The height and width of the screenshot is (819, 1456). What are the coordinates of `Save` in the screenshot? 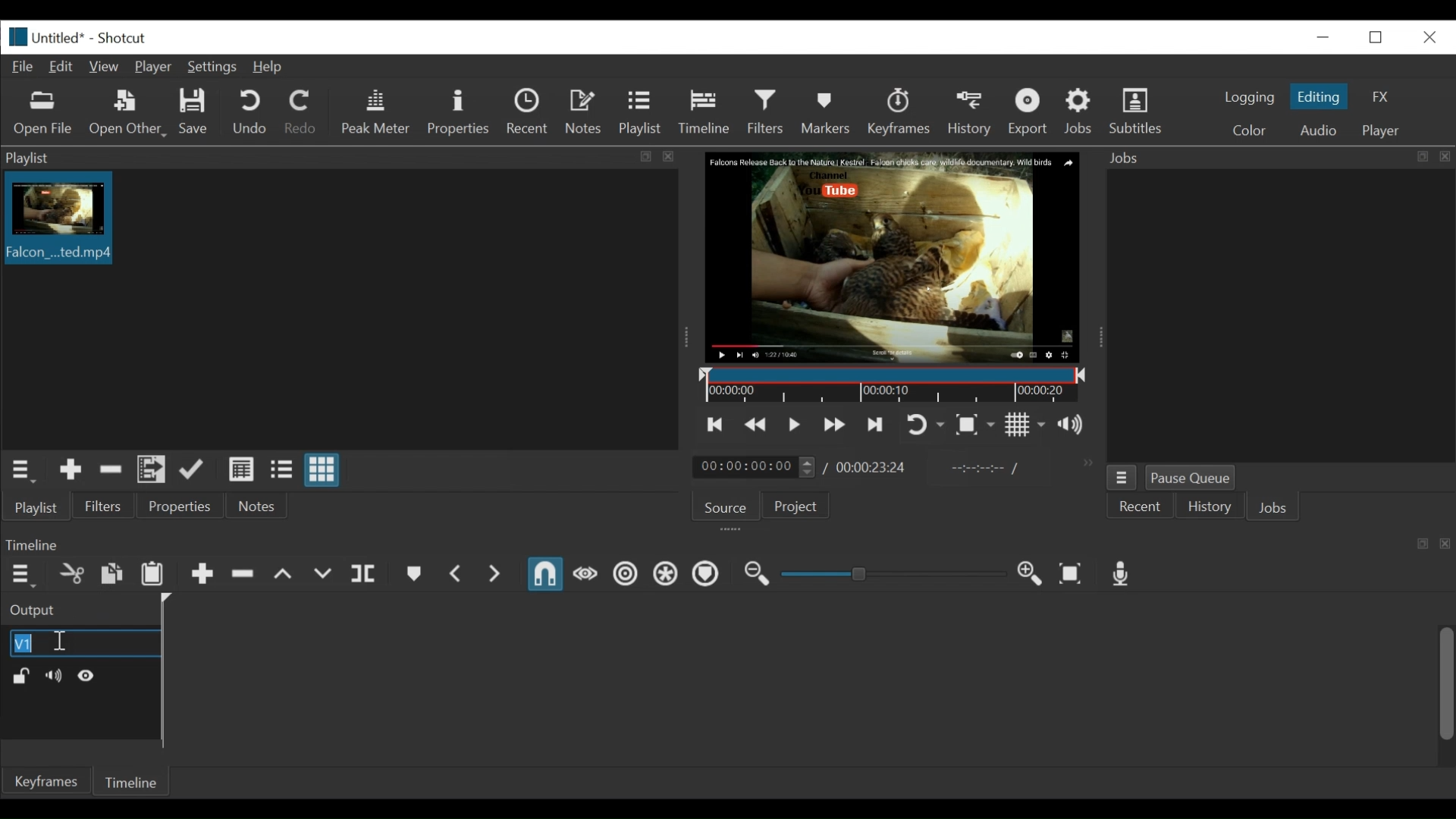 It's located at (197, 111).